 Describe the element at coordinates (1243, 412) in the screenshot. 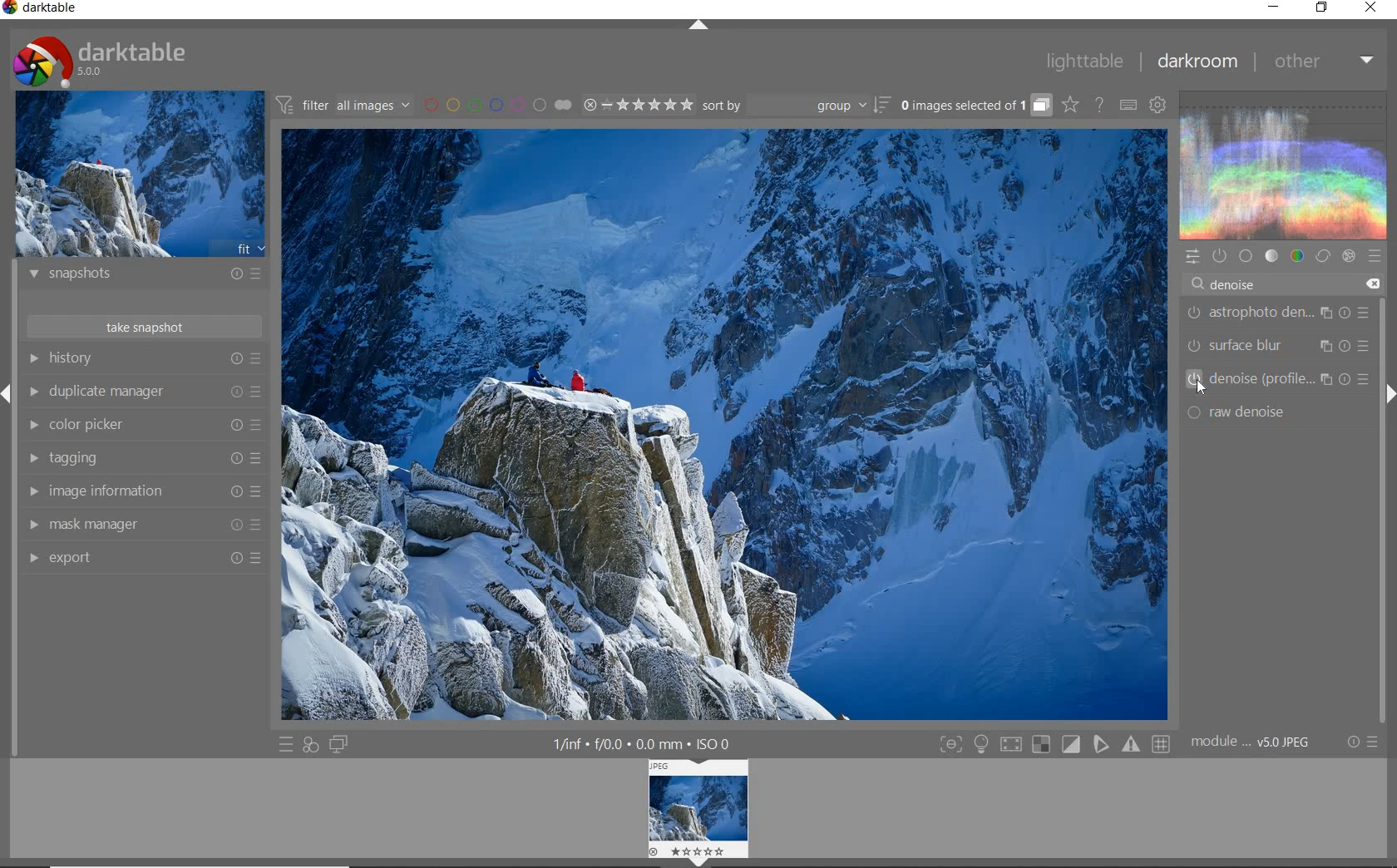

I see `raw denoise` at that location.